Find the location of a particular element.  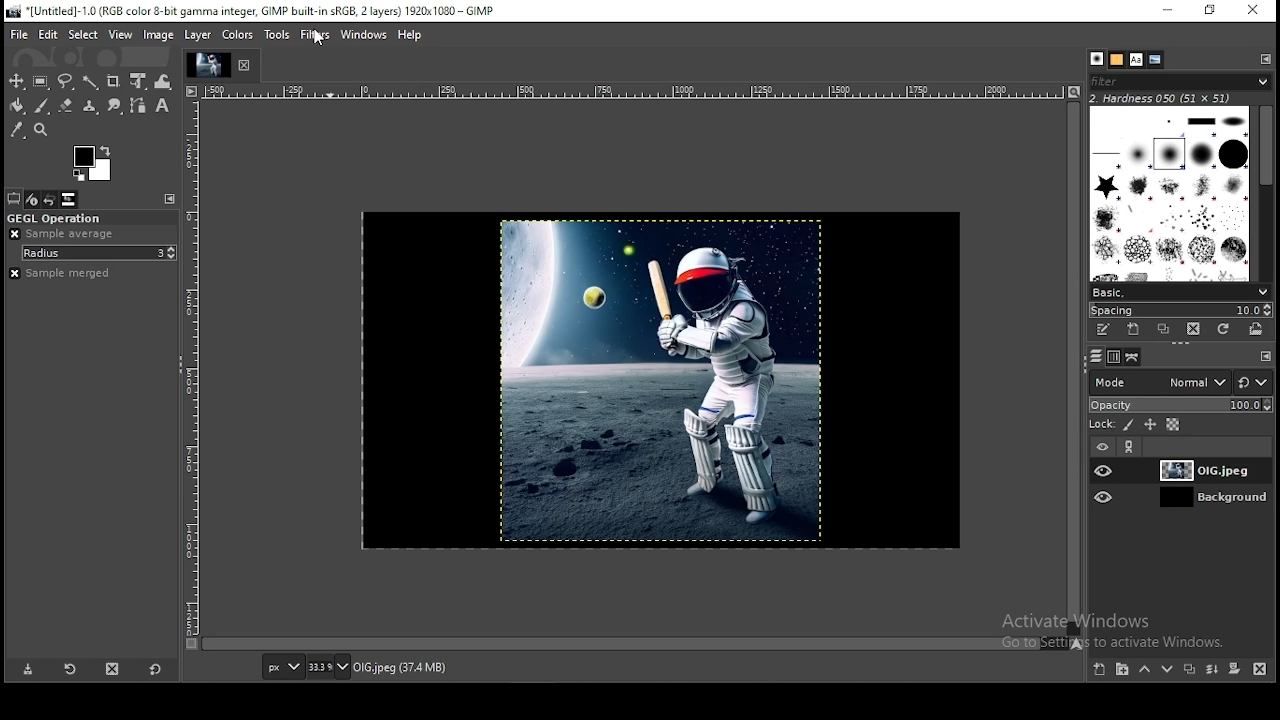

tool option is located at coordinates (14, 199).